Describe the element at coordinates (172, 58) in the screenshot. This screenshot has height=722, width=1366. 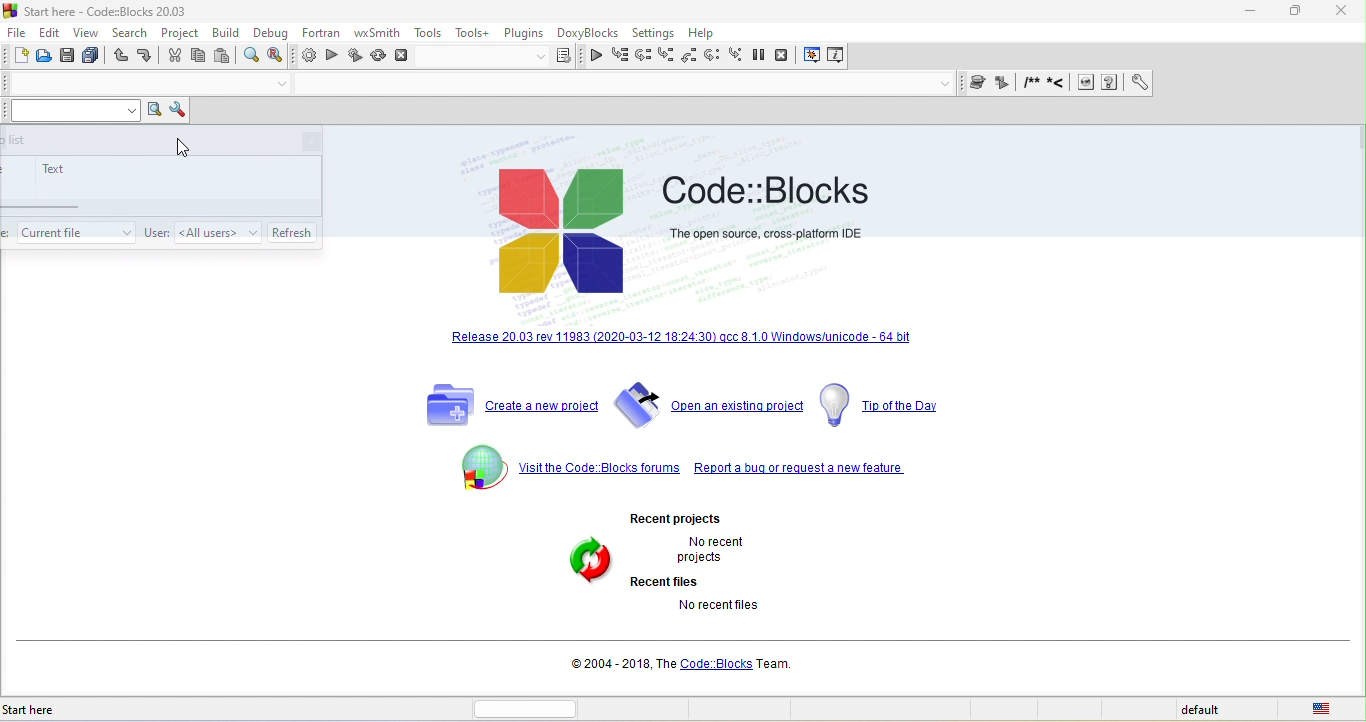
I see `cut` at that location.